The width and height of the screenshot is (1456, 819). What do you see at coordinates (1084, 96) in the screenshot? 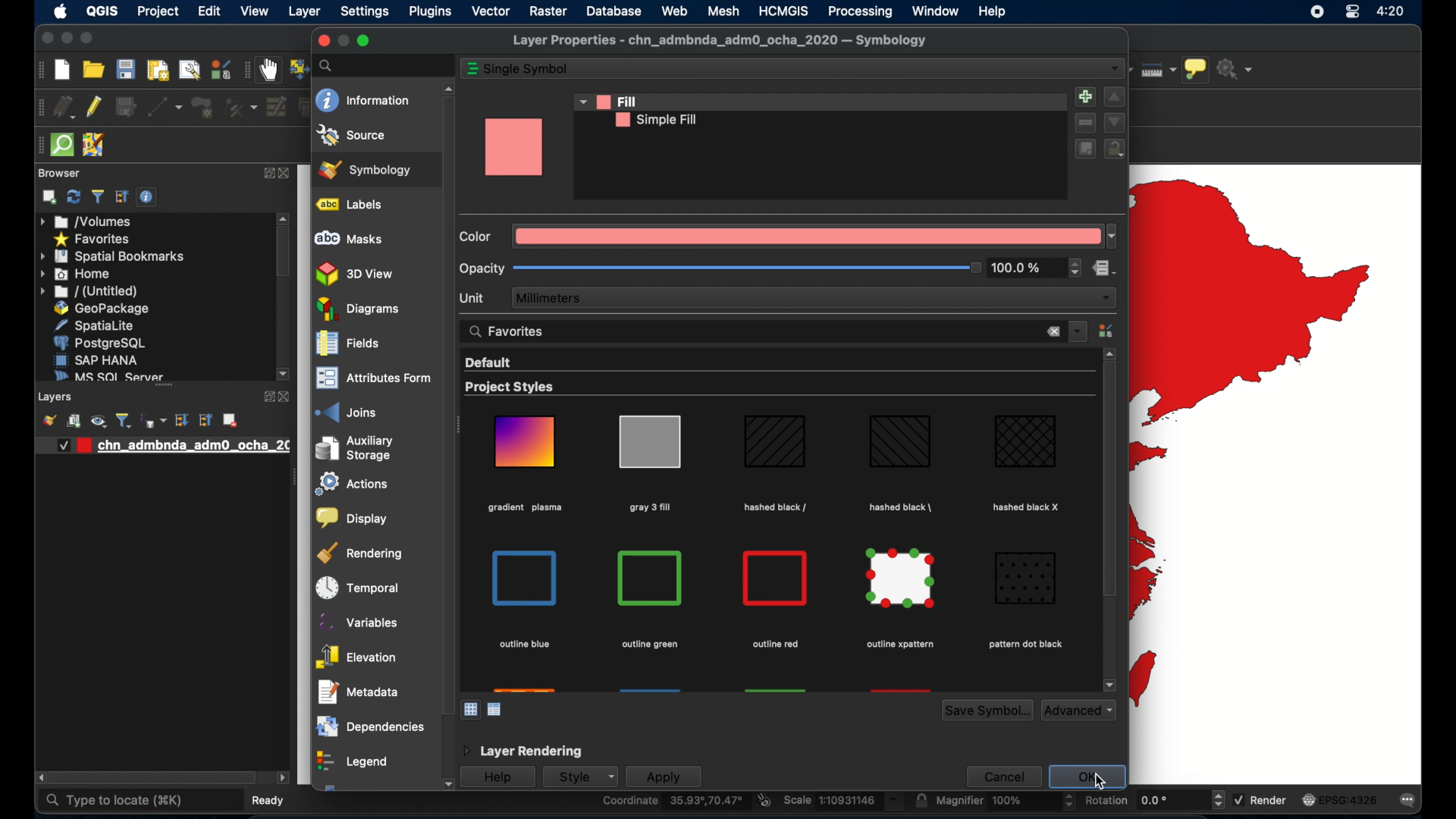
I see `add symbol layer color` at bounding box center [1084, 96].